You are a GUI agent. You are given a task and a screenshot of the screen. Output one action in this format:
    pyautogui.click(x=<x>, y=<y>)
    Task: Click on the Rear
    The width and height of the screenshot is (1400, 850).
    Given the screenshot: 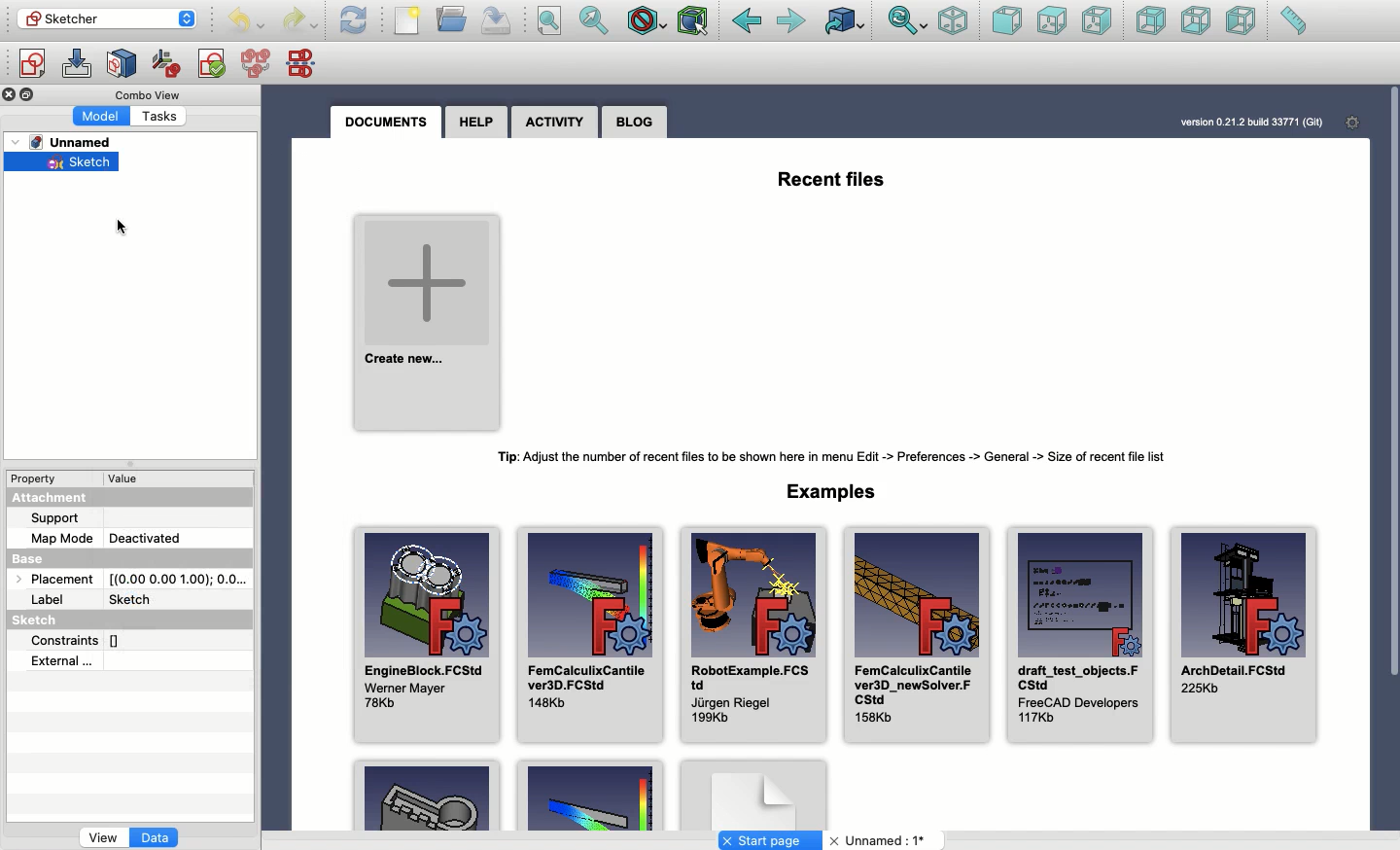 What is the action you would take?
    pyautogui.click(x=1151, y=20)
    